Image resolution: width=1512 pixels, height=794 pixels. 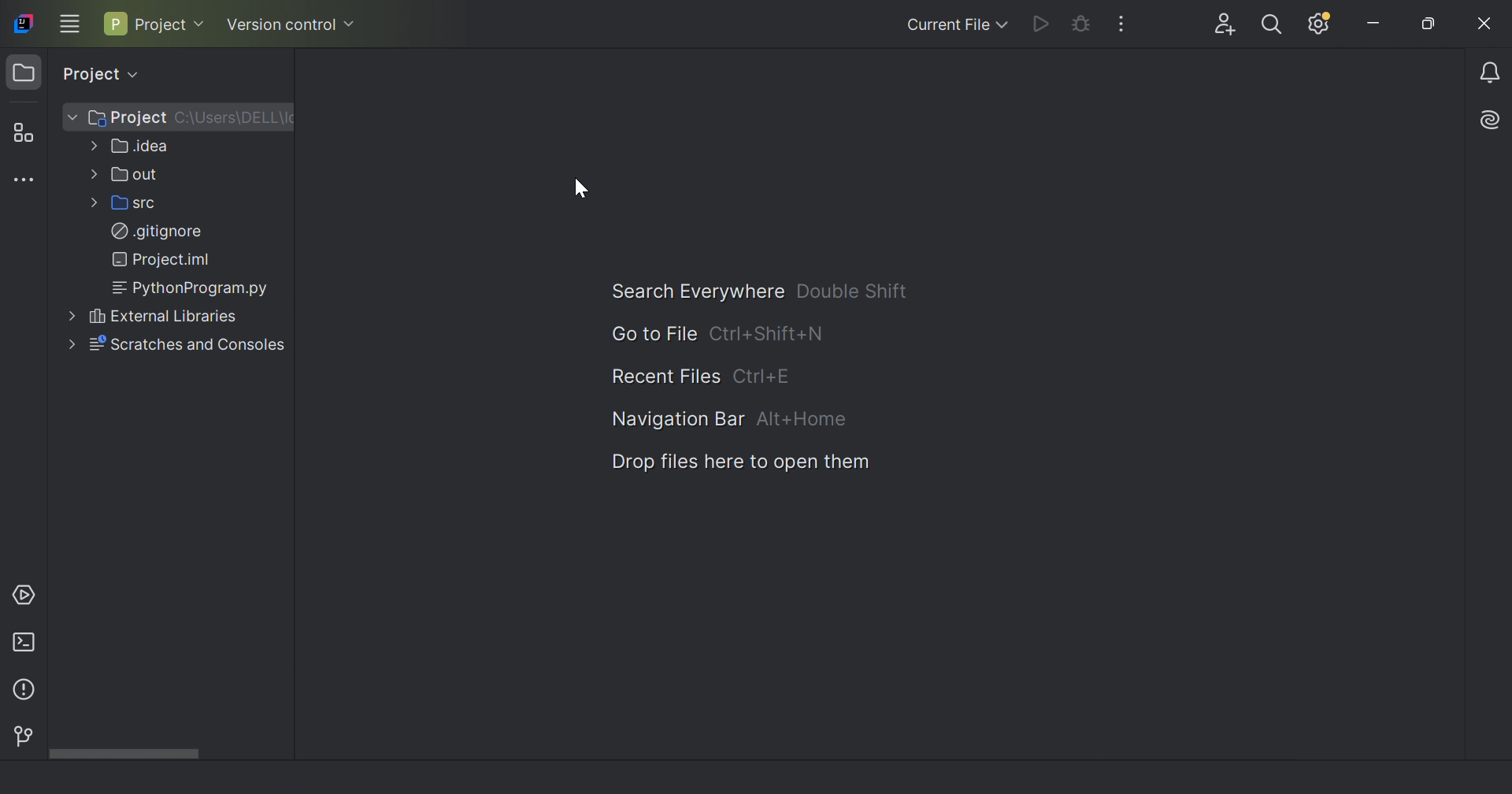 What do you see at coordinates (1493, 117) in the screenshot?
I see `AI Assistant` at bounding box center [1493, 117].